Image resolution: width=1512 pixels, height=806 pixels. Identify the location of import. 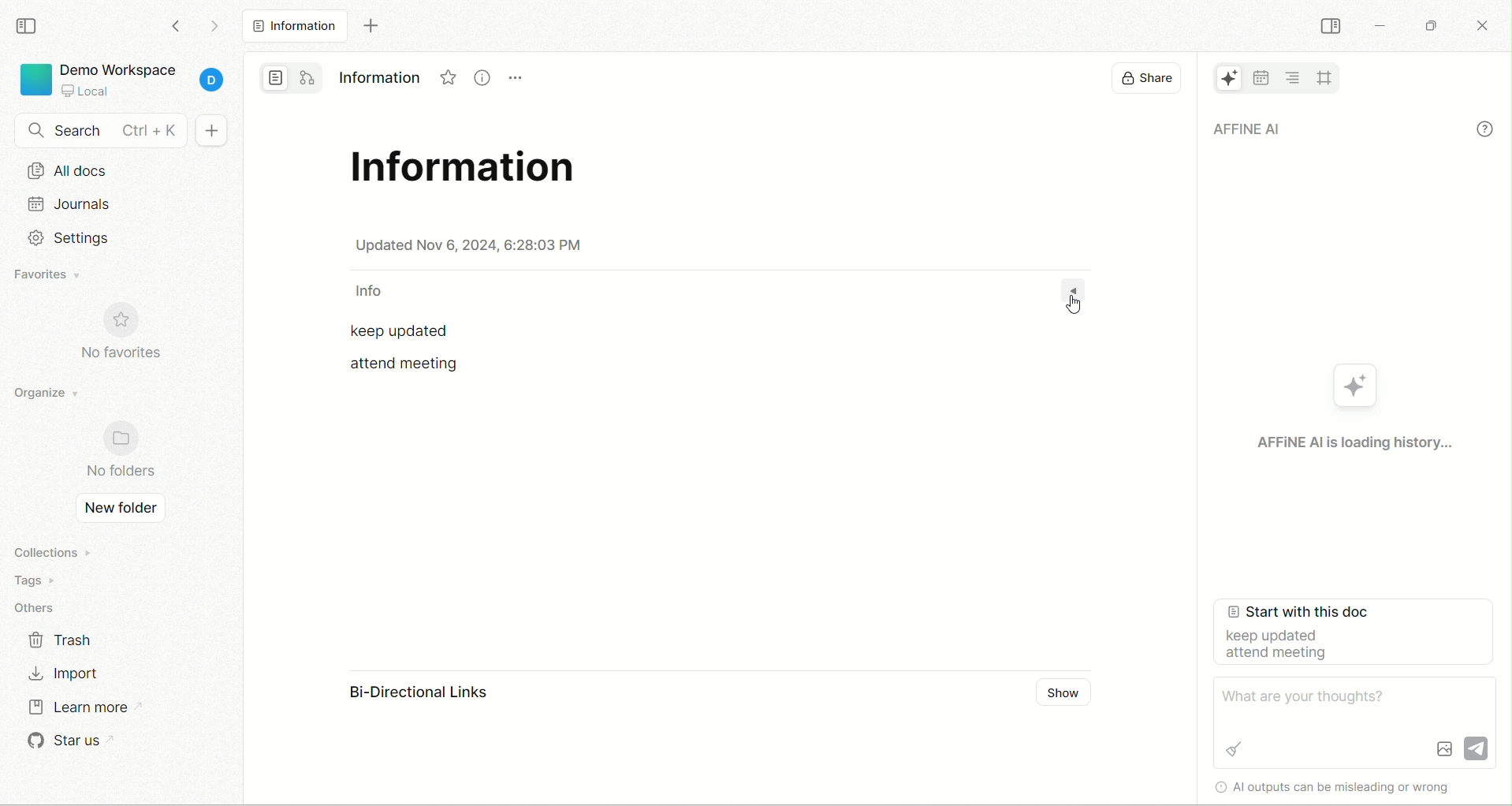
(70, 671).